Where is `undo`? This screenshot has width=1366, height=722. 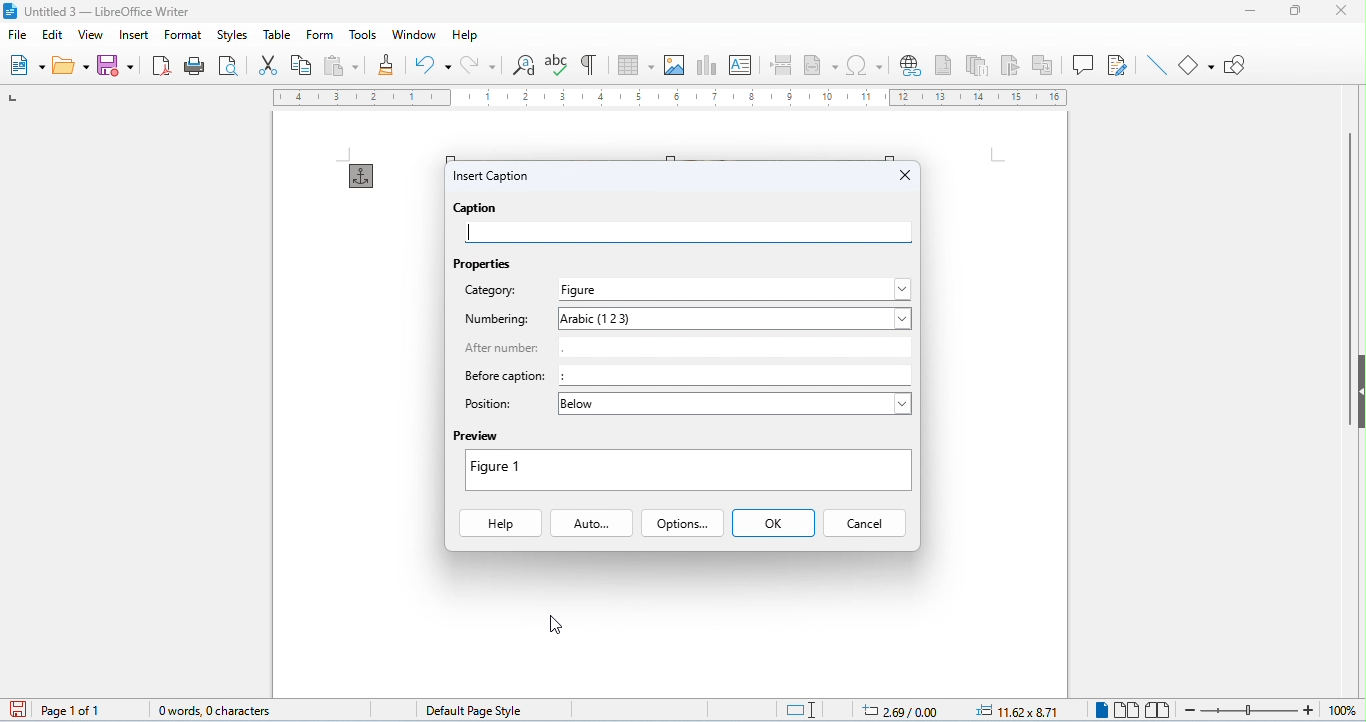 undo is located at coordinates (432, 65).